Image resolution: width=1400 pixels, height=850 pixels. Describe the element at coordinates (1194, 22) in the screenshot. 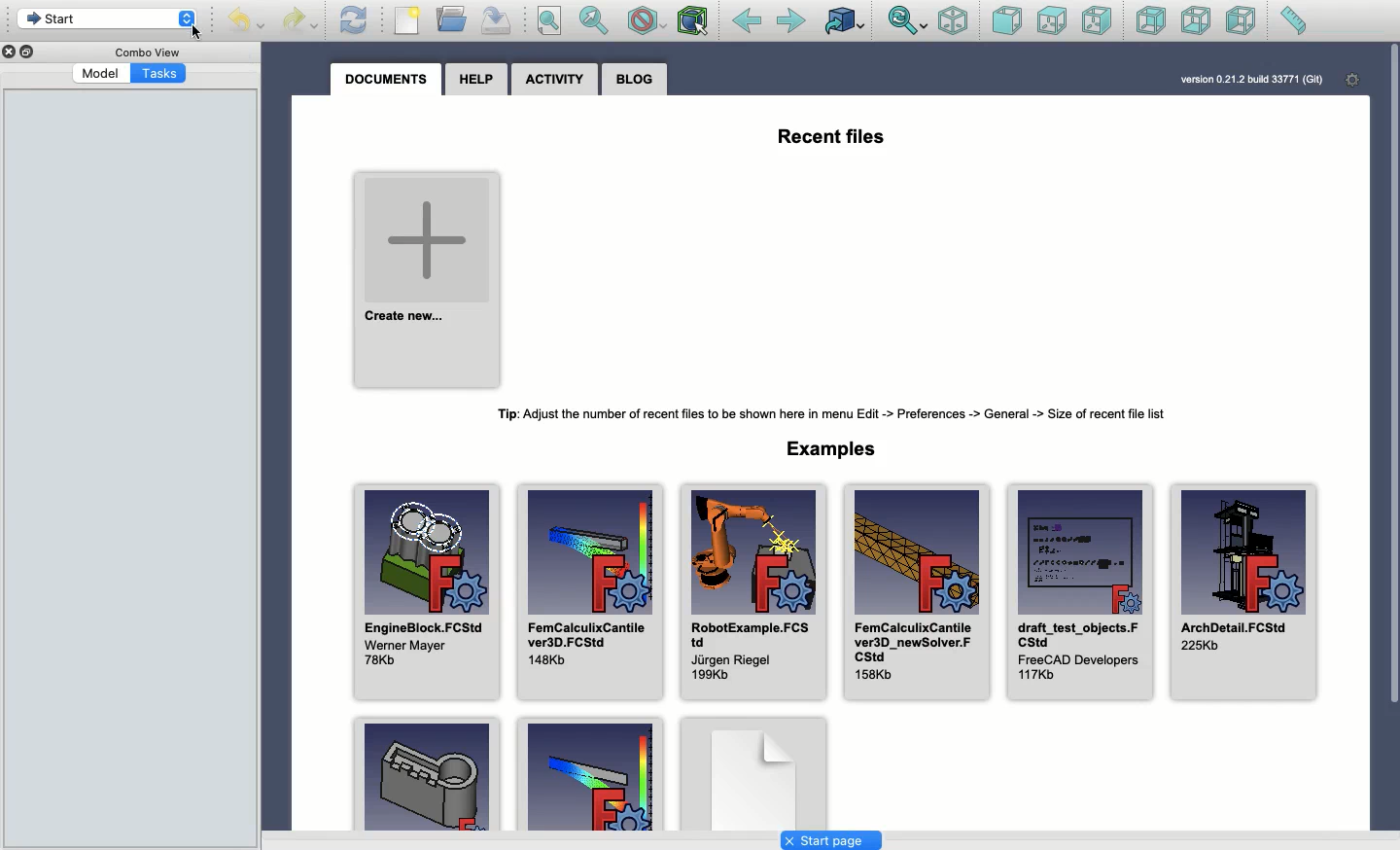

I see `Bottom` at that location.